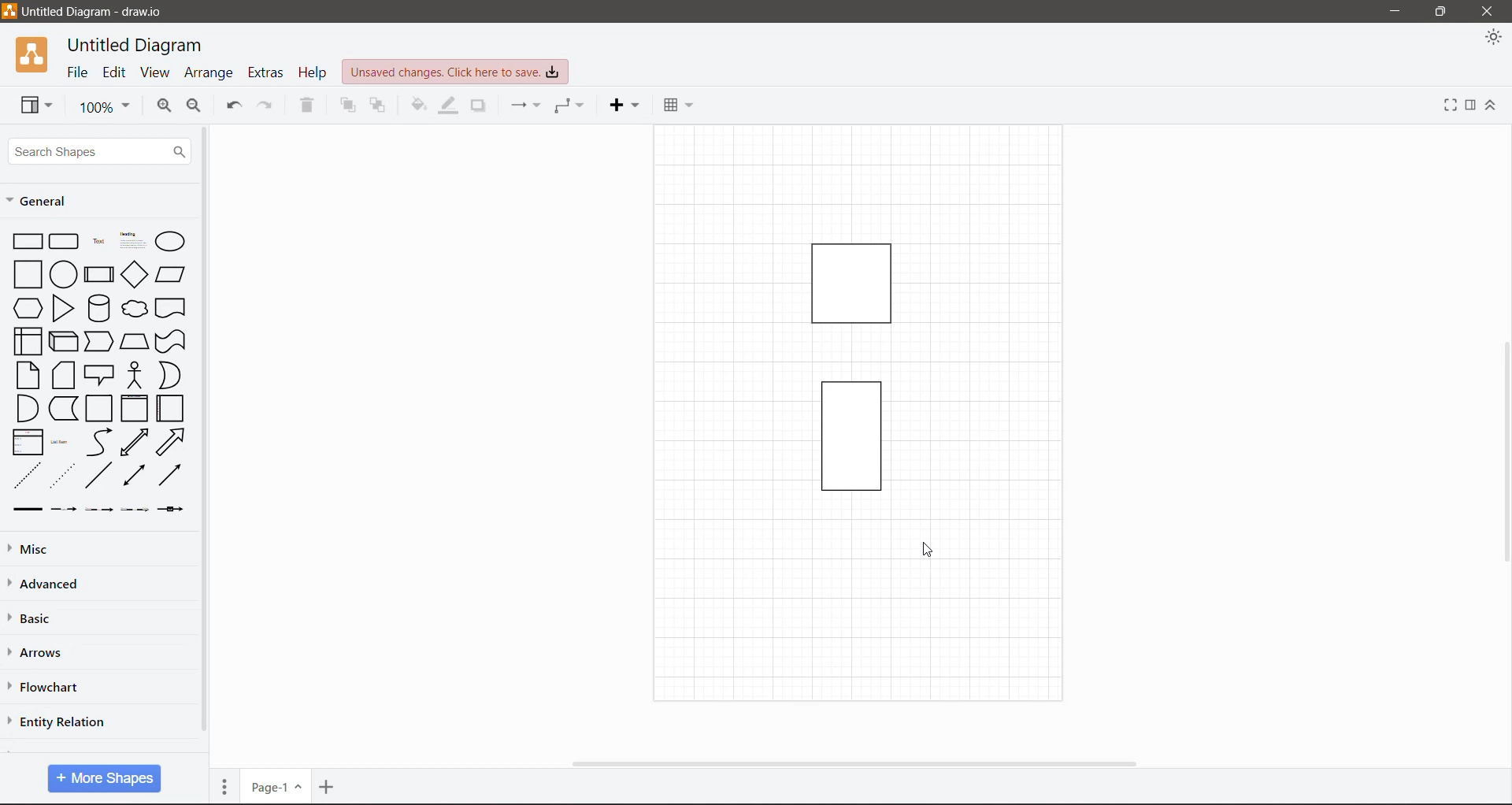 The width and height of the screenshot is (1512, 805). What do you see at coordinates (269, 106) in the screenshot?
I see `Redo` at bounding box center [269, 106].